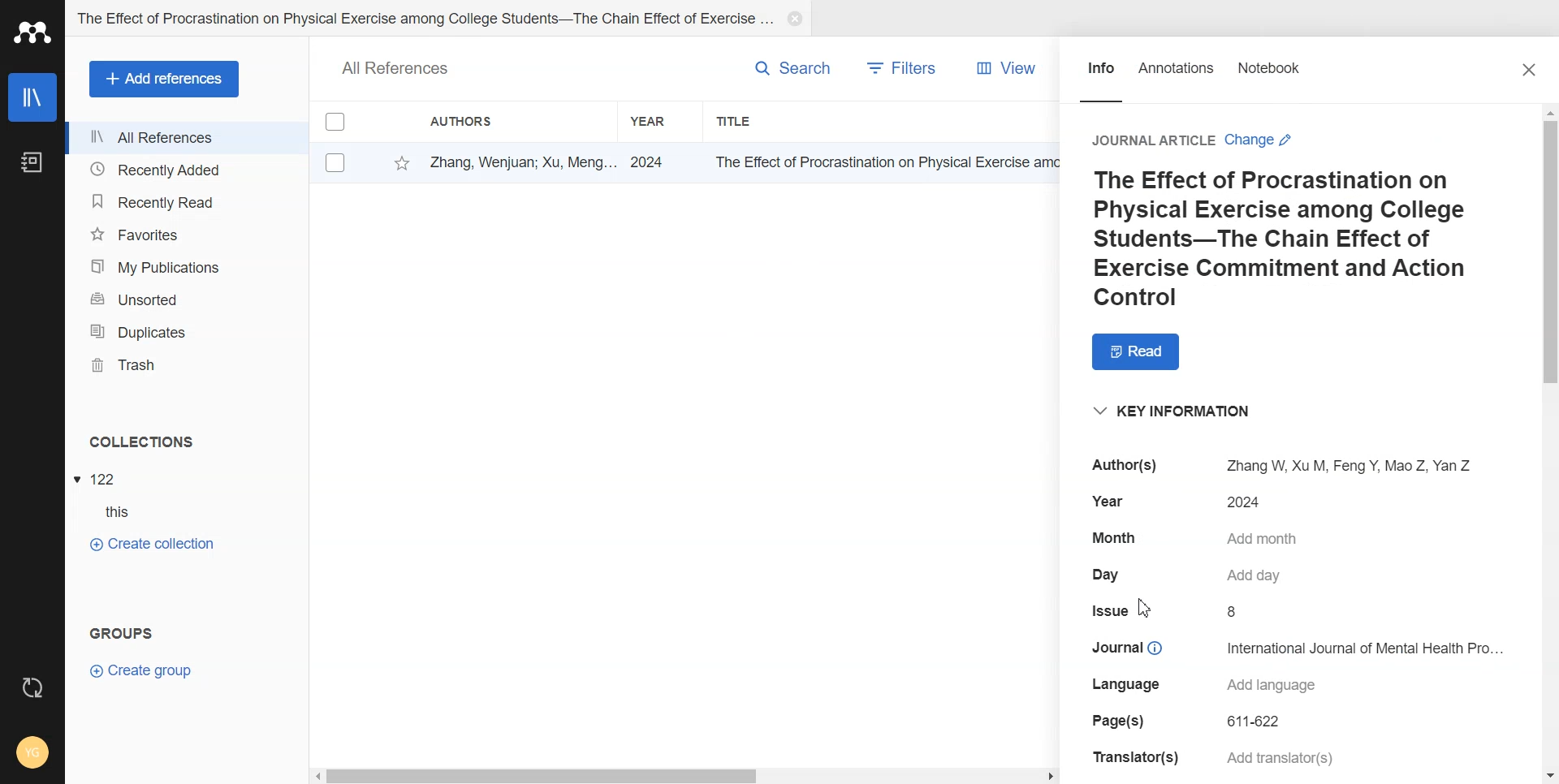  What do you see at coordinates (1153, 140) in the screenshot?
I see `journal article` at bounding box center [1153, 140].